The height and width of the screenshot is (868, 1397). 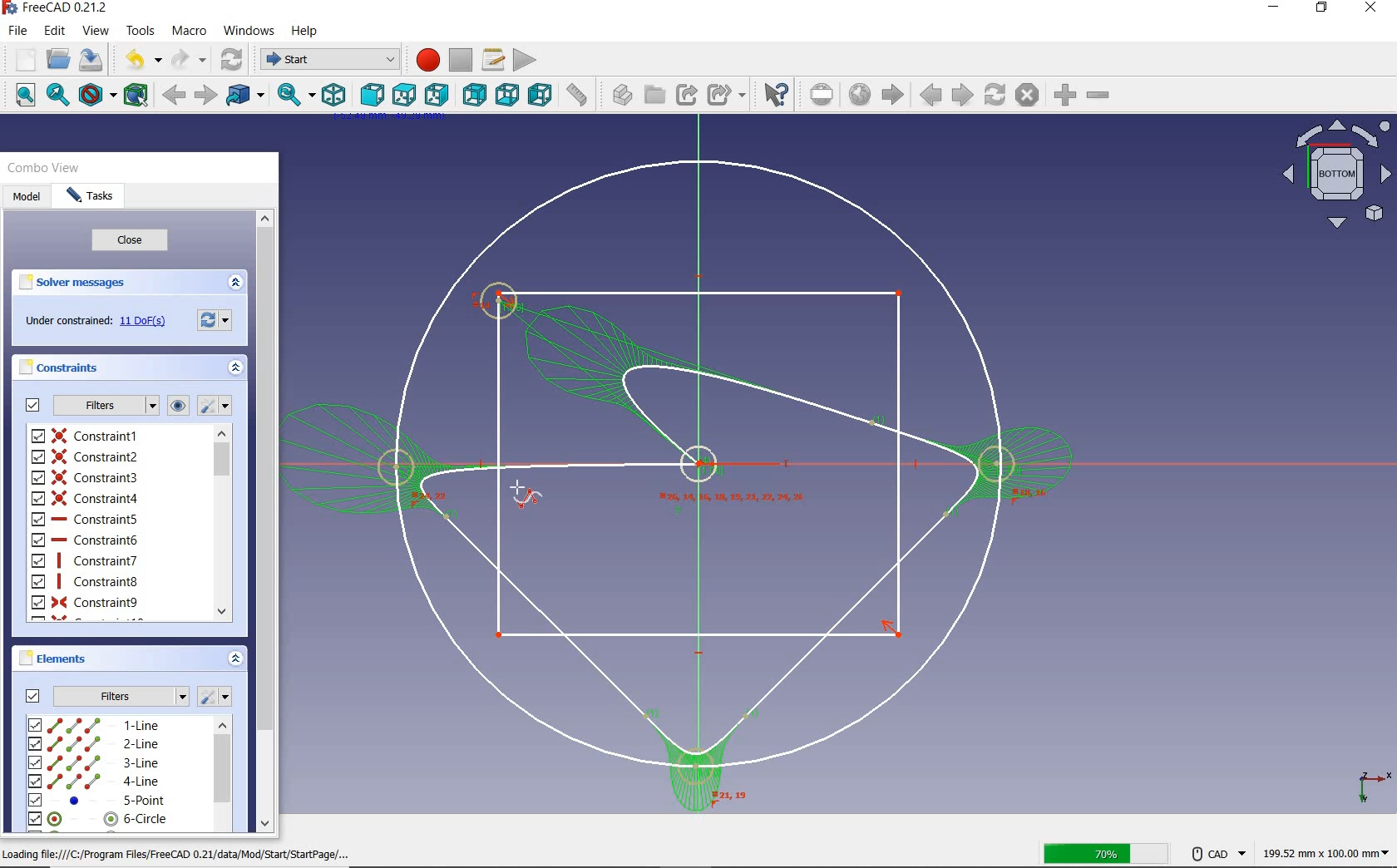 What do you see at coordinates (861, 96) in the screenshot?
I see `open website` at bounding box center [861, 96].